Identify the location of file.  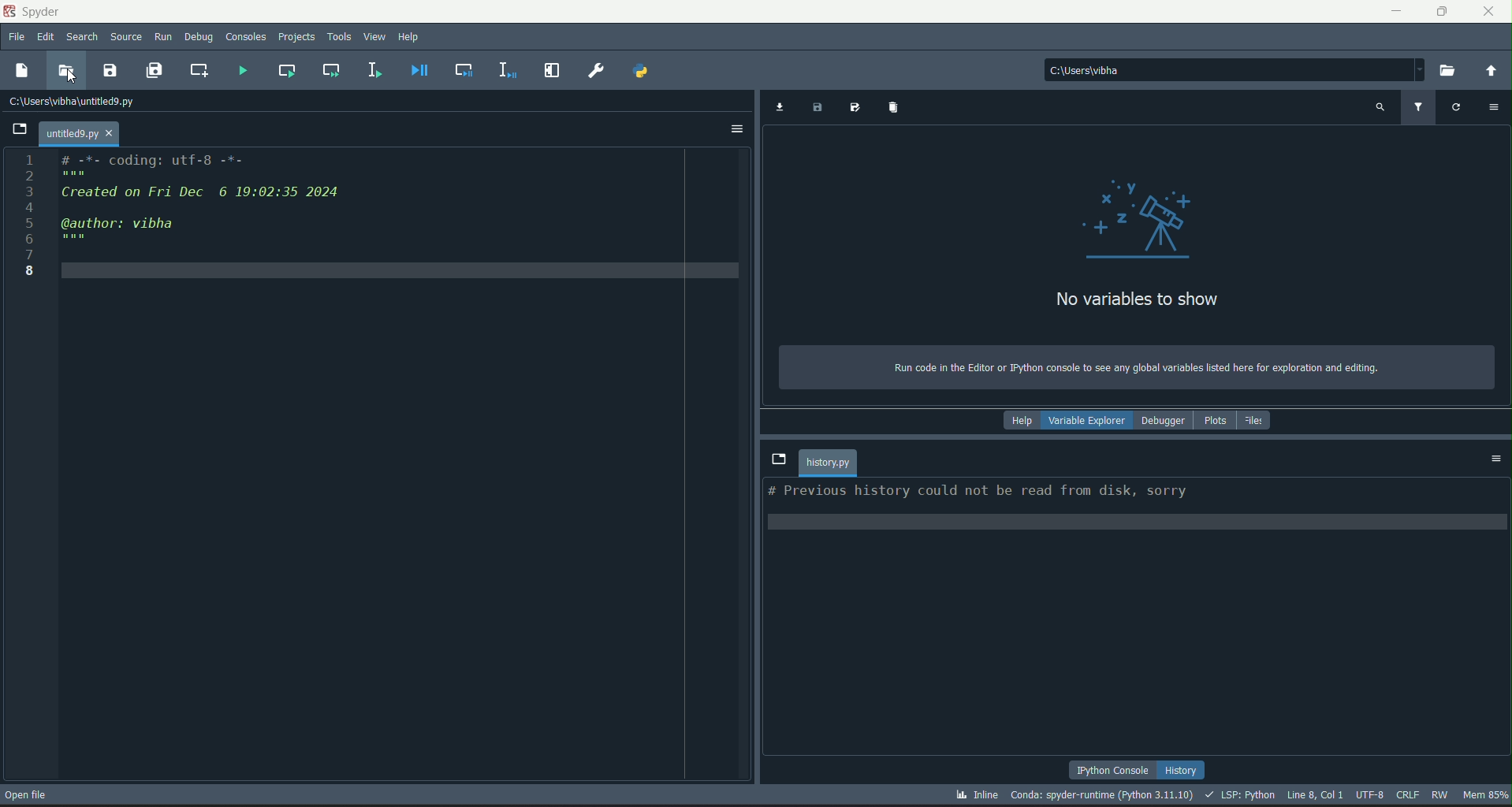
(18, 36).